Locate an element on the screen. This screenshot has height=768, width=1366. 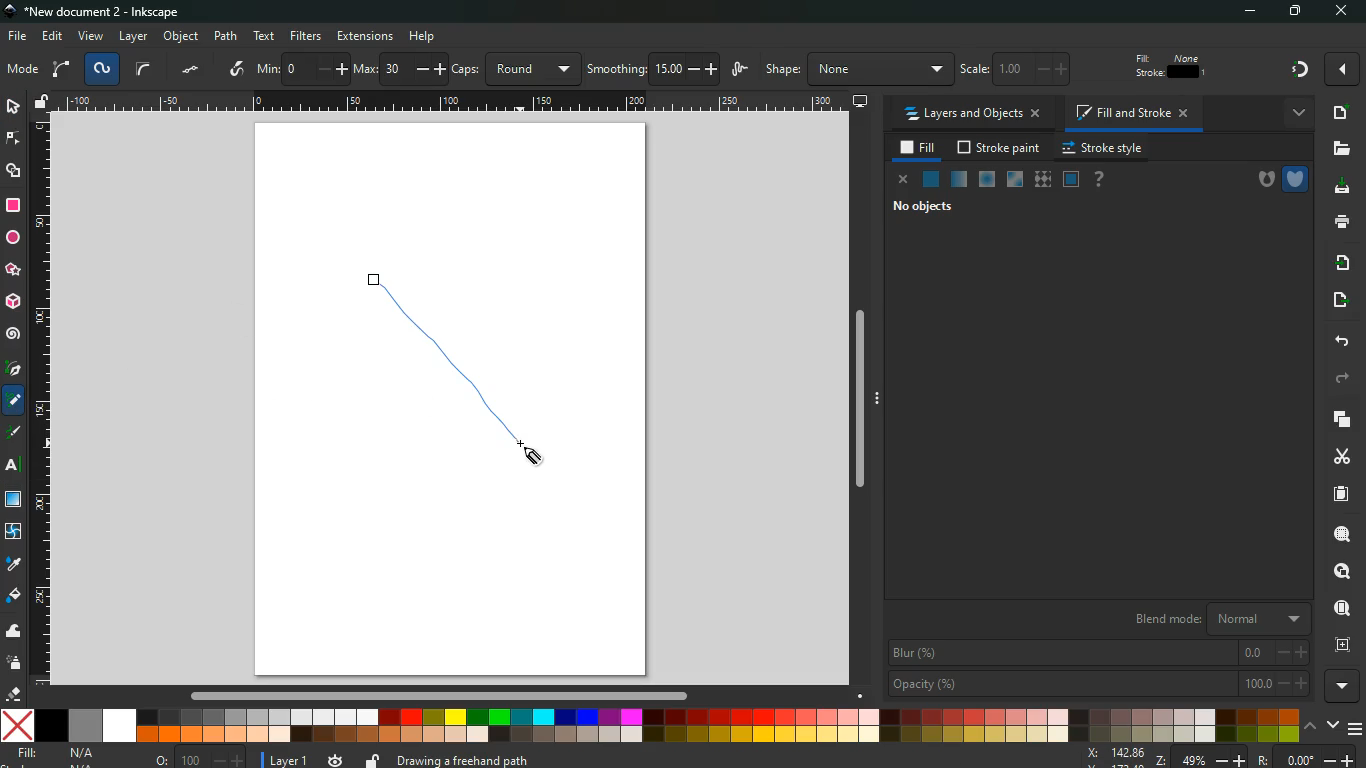
frame is located at coordinates (1071, 179).